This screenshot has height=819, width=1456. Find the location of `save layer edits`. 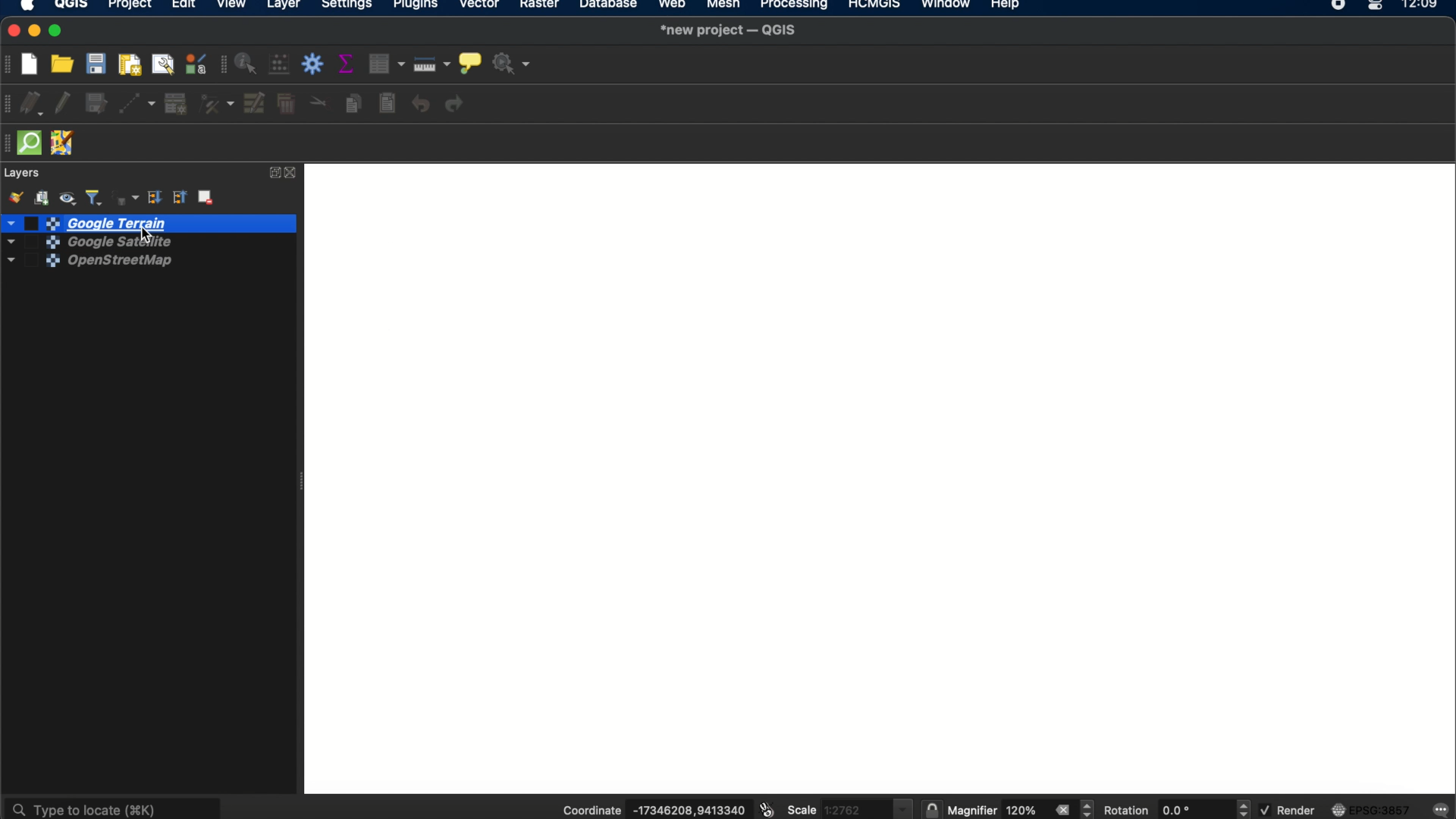

save layer edits is located at coordinates (97, 105).